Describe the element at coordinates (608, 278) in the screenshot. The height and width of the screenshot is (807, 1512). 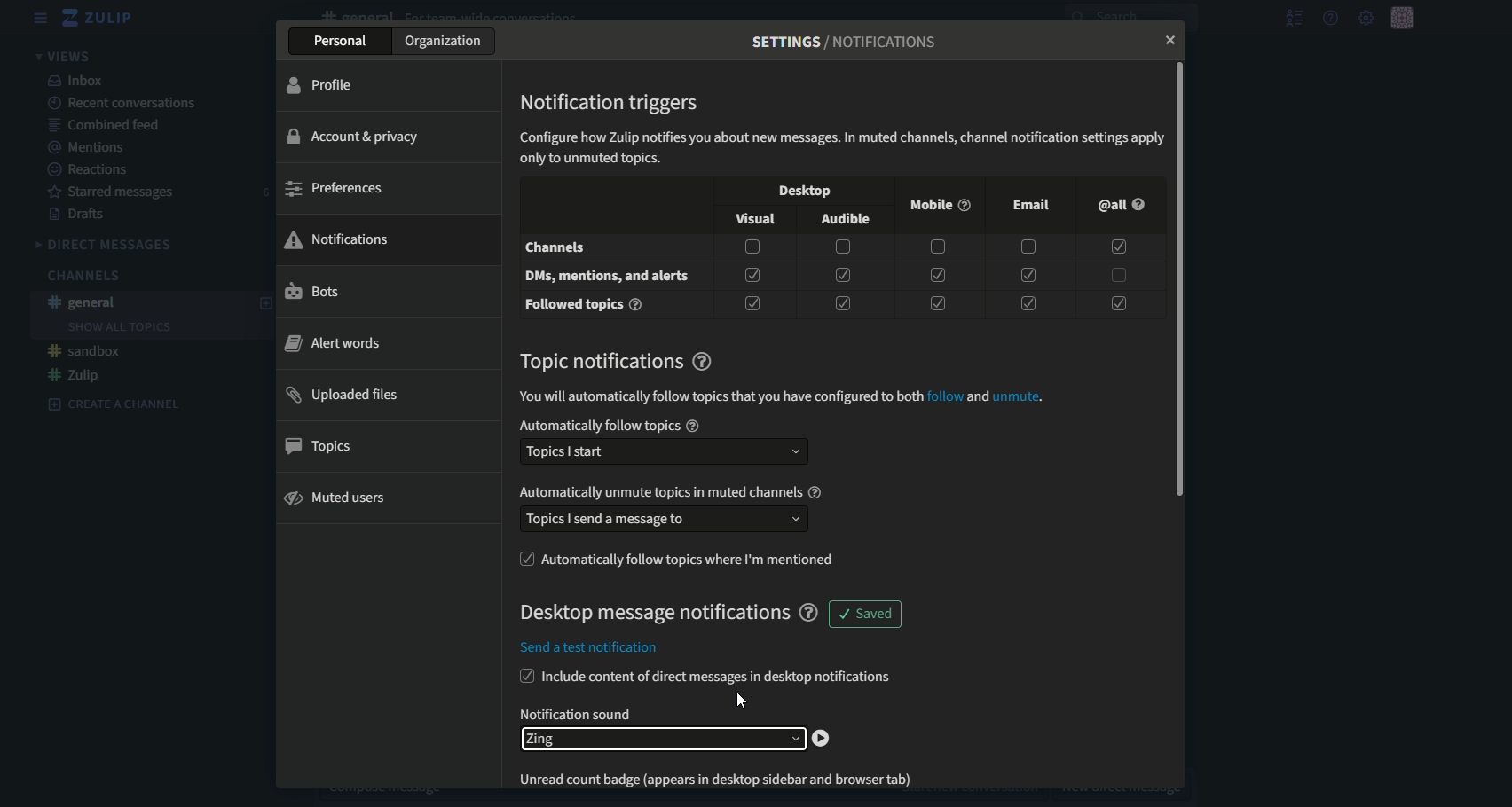
I see `text` at that location.